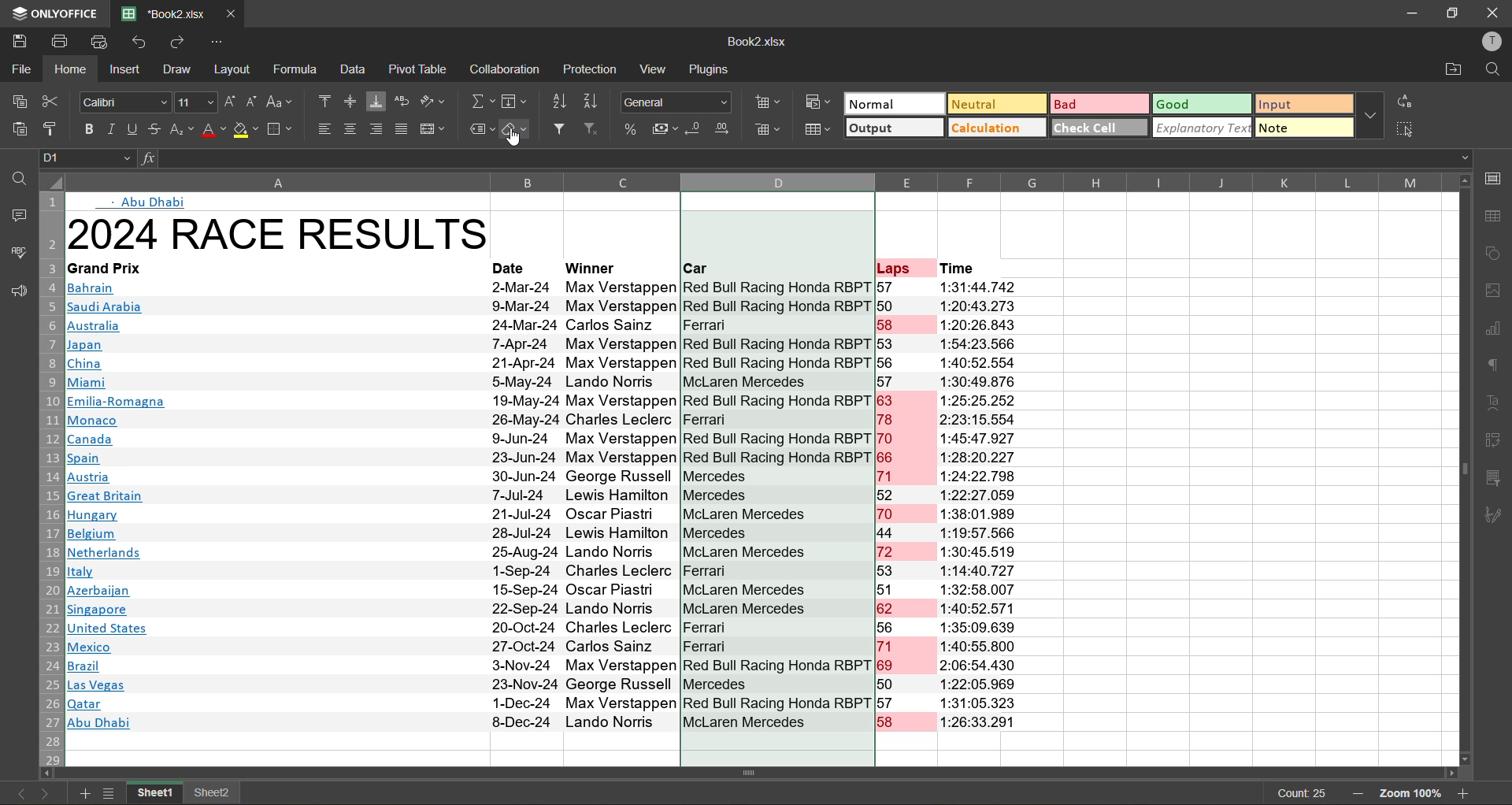 Image resolution: width=1512 pixels, height=805 pixels. Describe the element at coordinates (1494, 69) in the screenshot. I see `find` at that location.